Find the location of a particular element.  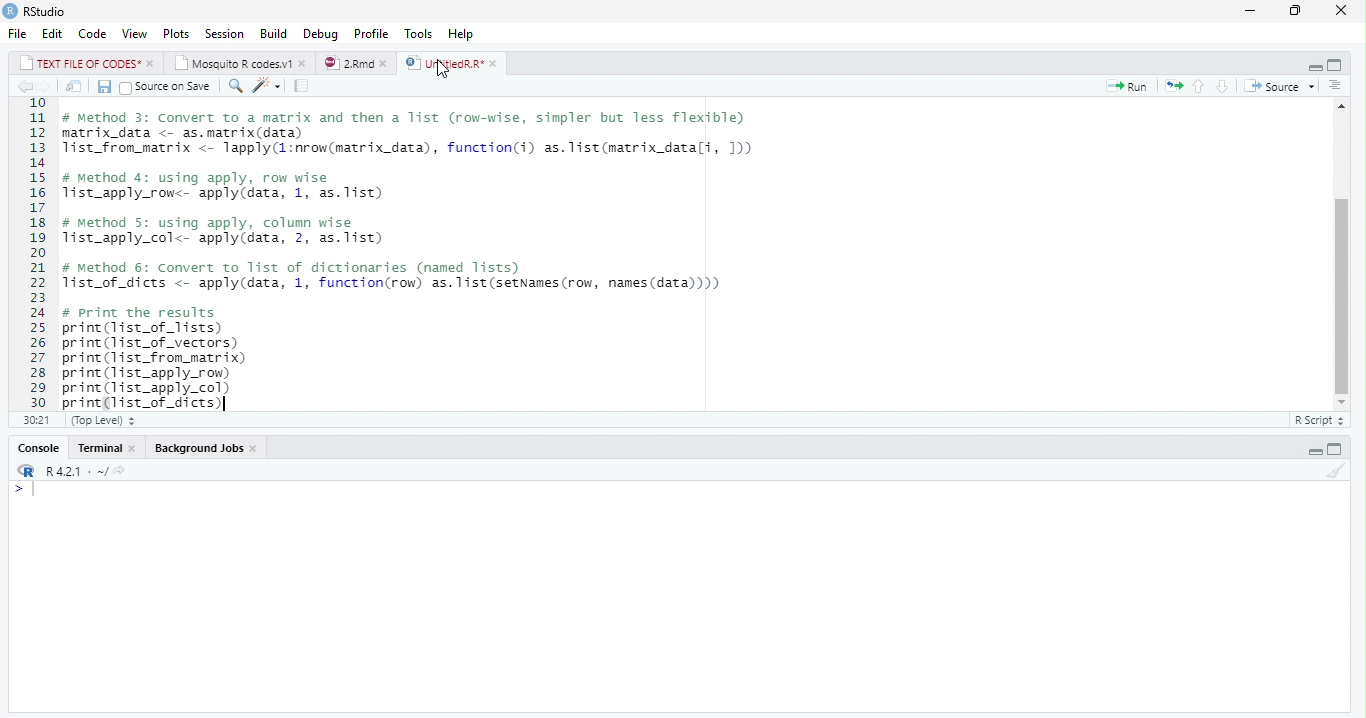

Help is located at coordinates (465, 34).